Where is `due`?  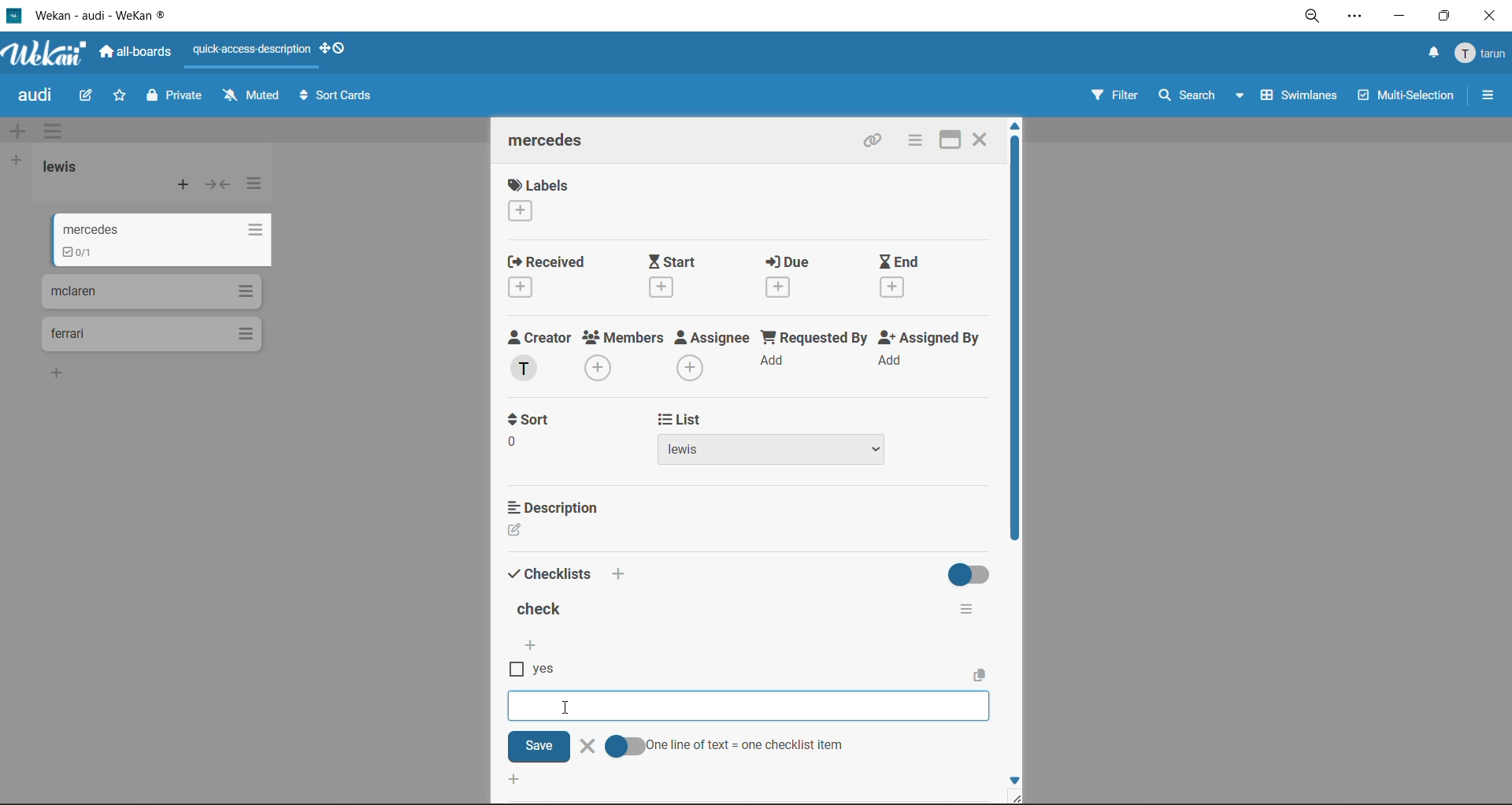
due is located at coordinates (799, 280).